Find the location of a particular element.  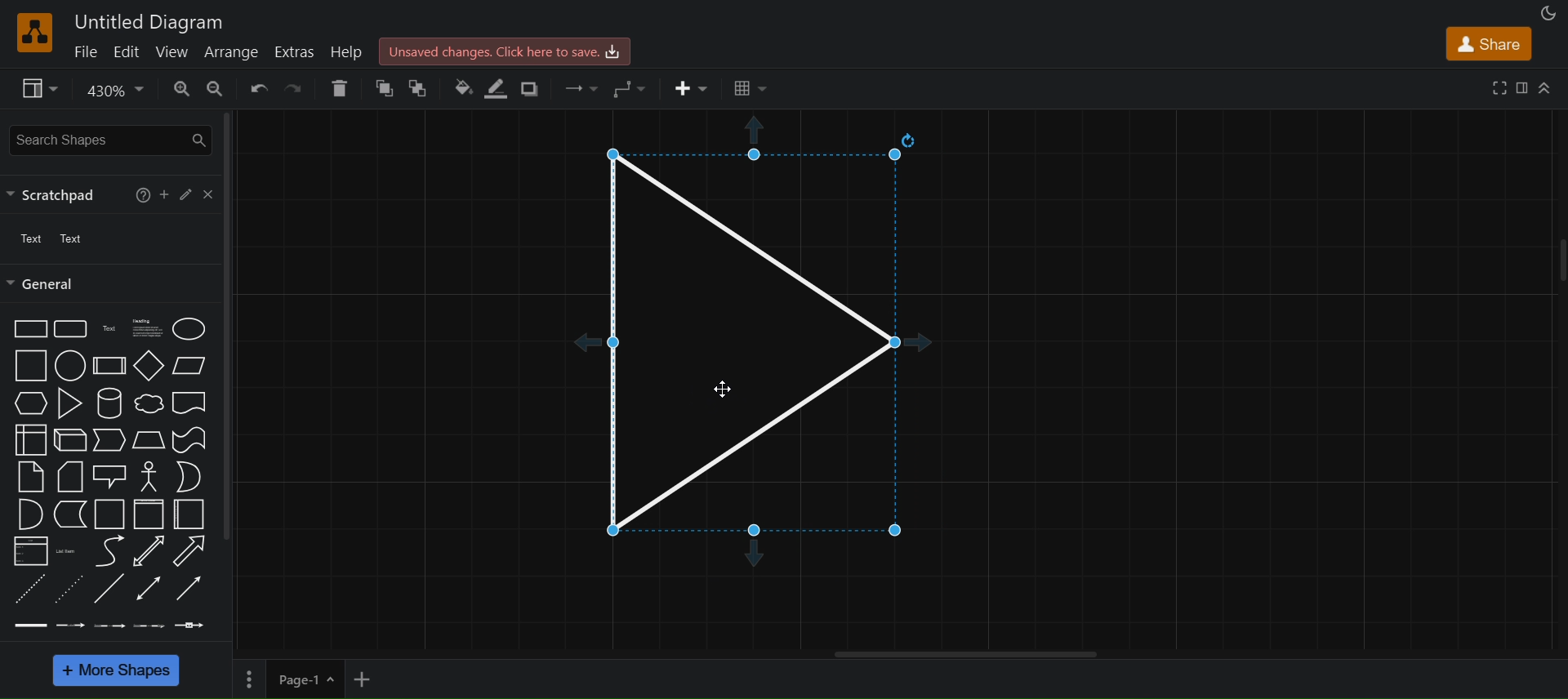

Cursor is located at coordinates (723, 388).